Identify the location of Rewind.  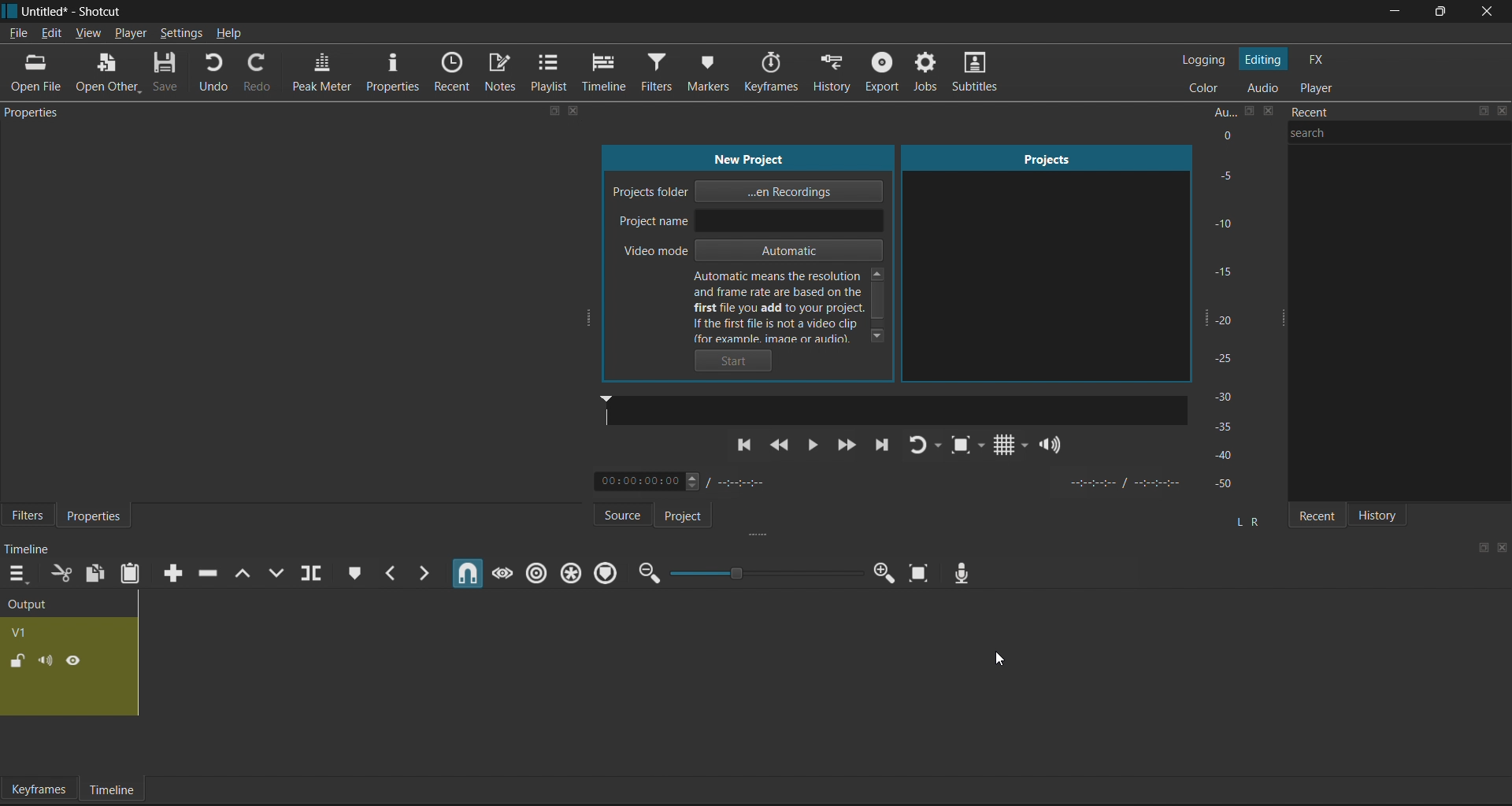
(783, 447).